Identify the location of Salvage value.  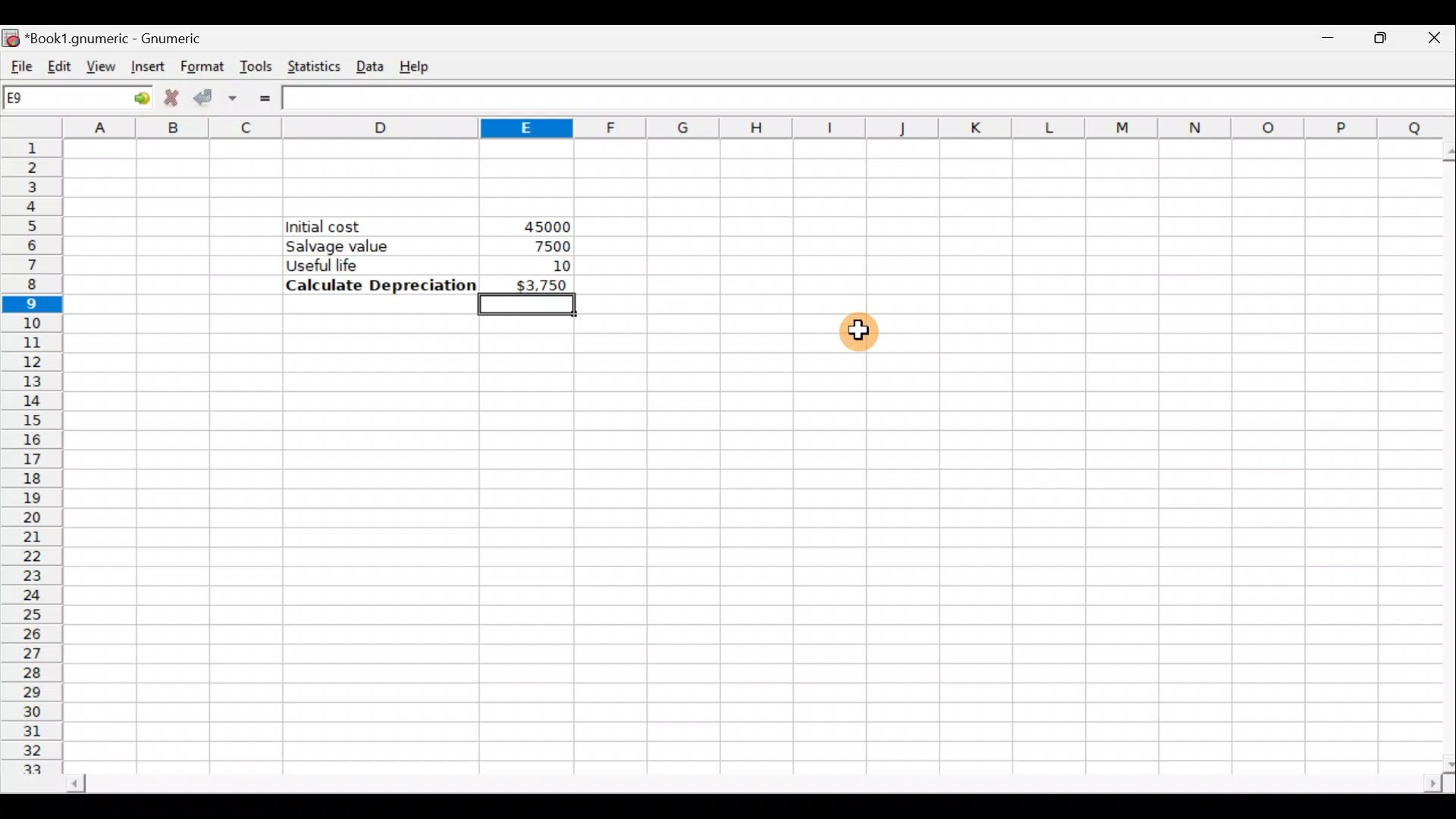
(369, 246).